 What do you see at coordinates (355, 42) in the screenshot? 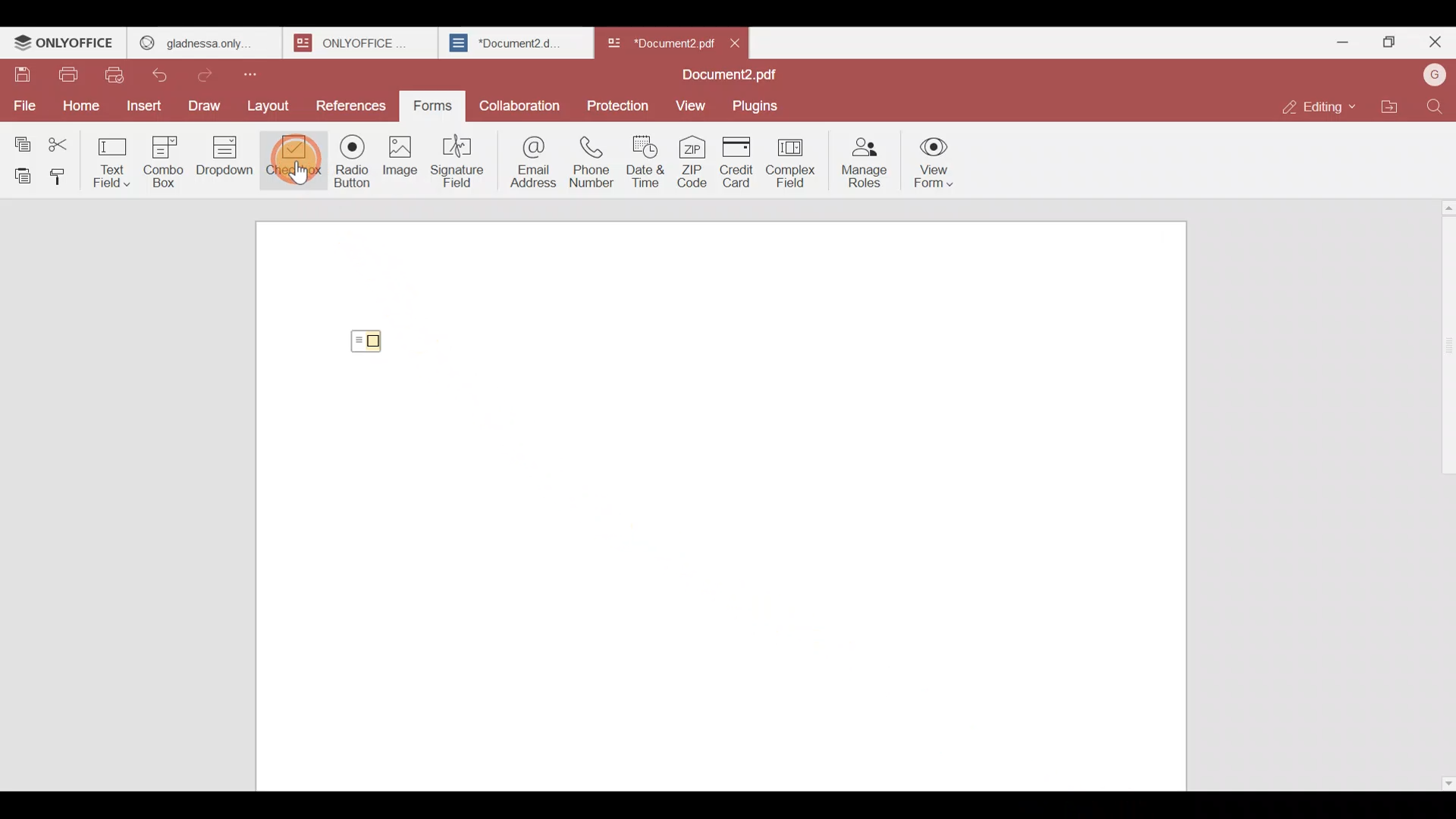
I see `onlyoffice` at bounding box center [355, 42].